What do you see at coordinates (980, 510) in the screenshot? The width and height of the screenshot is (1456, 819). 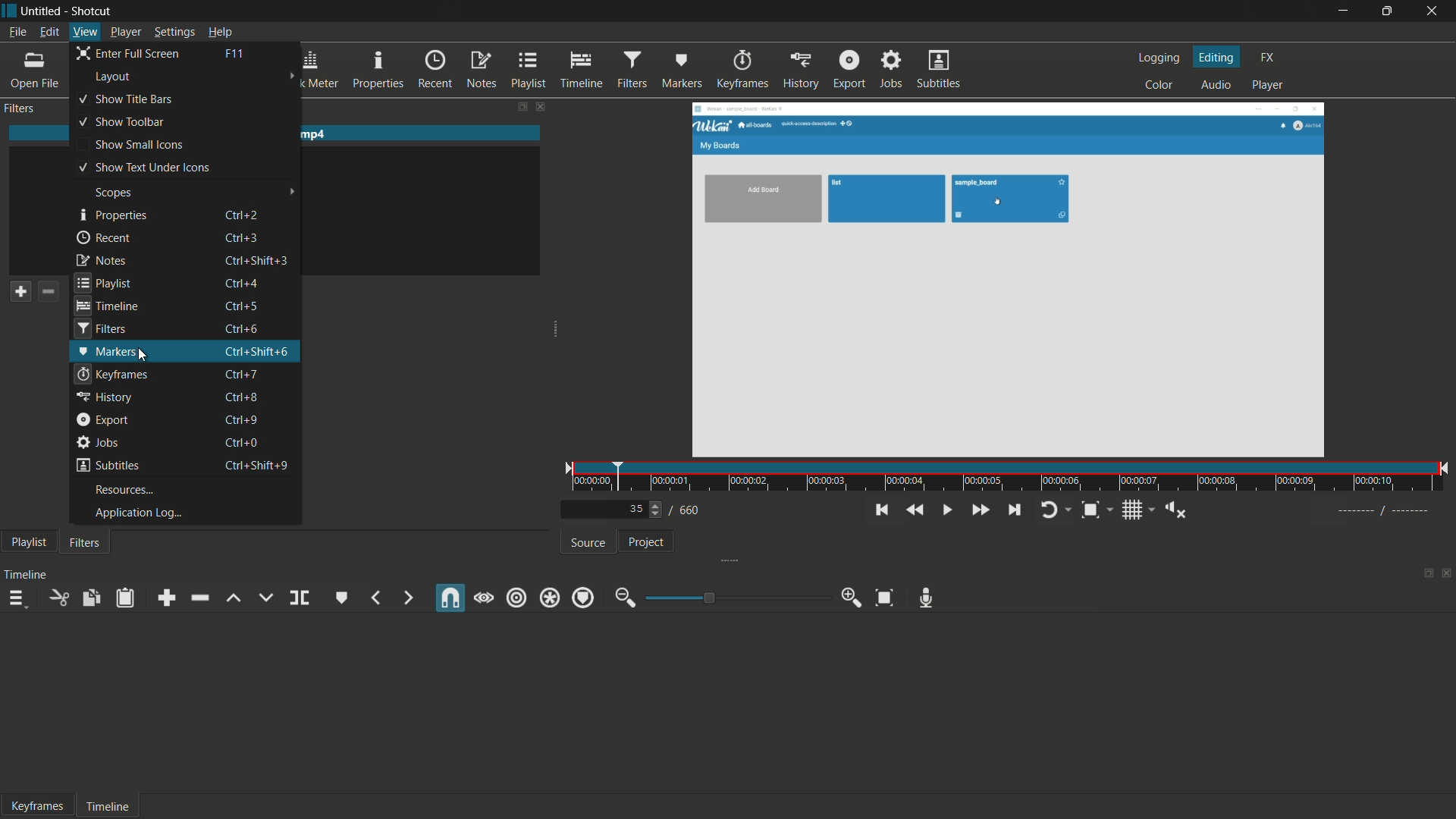 I see `quickly play forward` at bounding box center [980, 510].